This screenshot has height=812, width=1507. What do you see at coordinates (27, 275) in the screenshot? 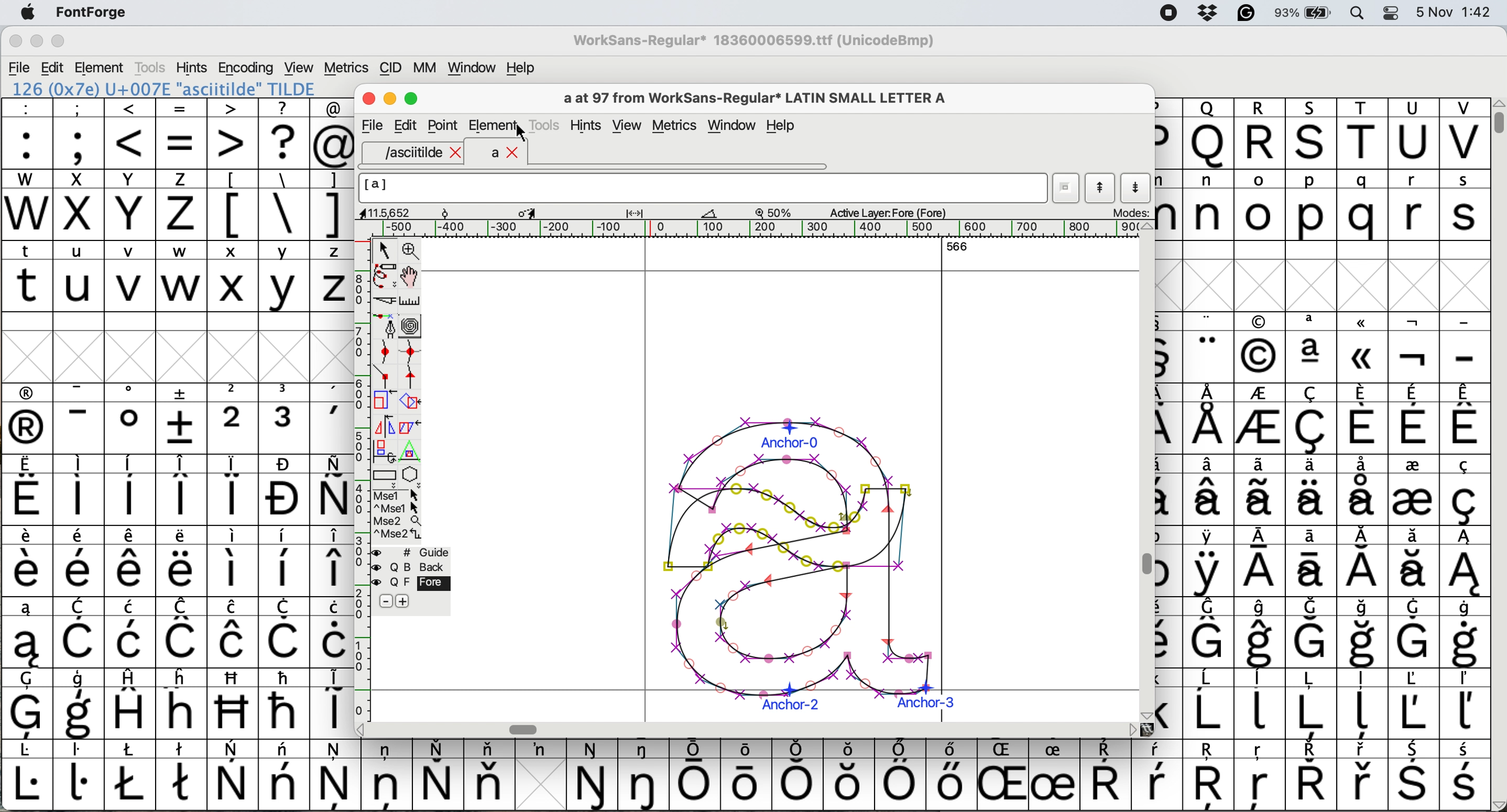
I see `t` at bounding box center [27, 275].